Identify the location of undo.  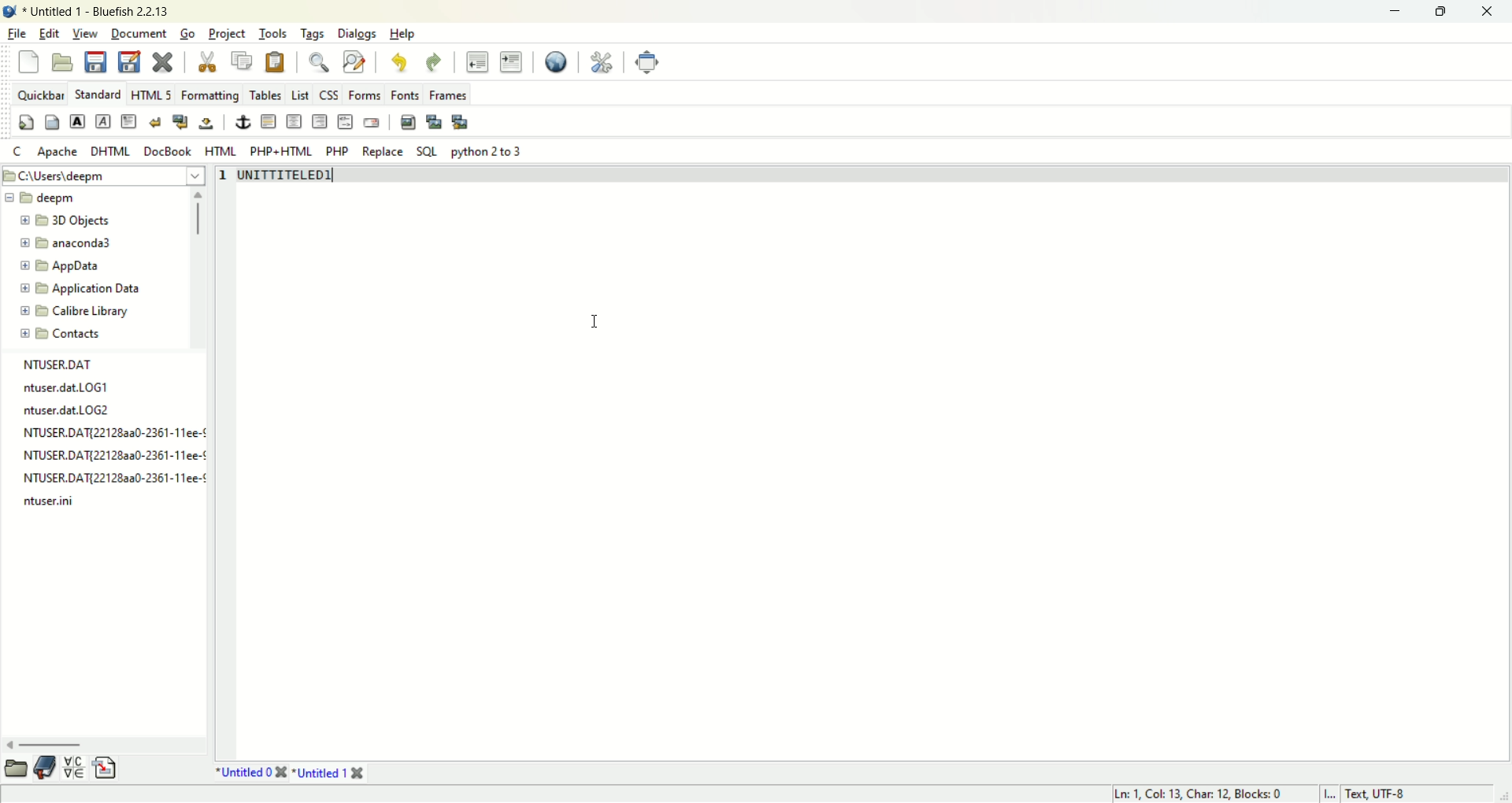
(400, 63).